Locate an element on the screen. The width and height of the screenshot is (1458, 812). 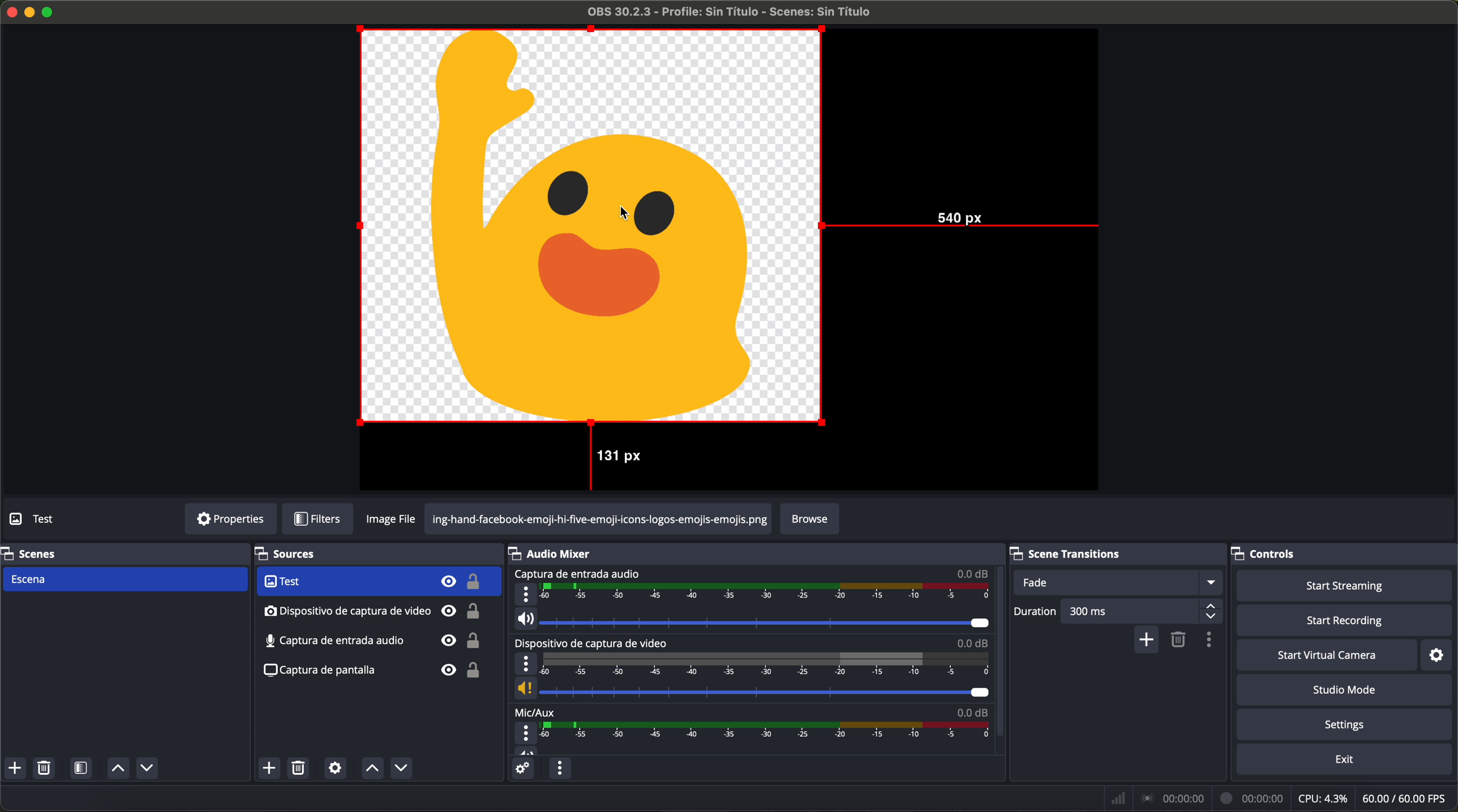
mic/aux is located at coordinates (535, 711).